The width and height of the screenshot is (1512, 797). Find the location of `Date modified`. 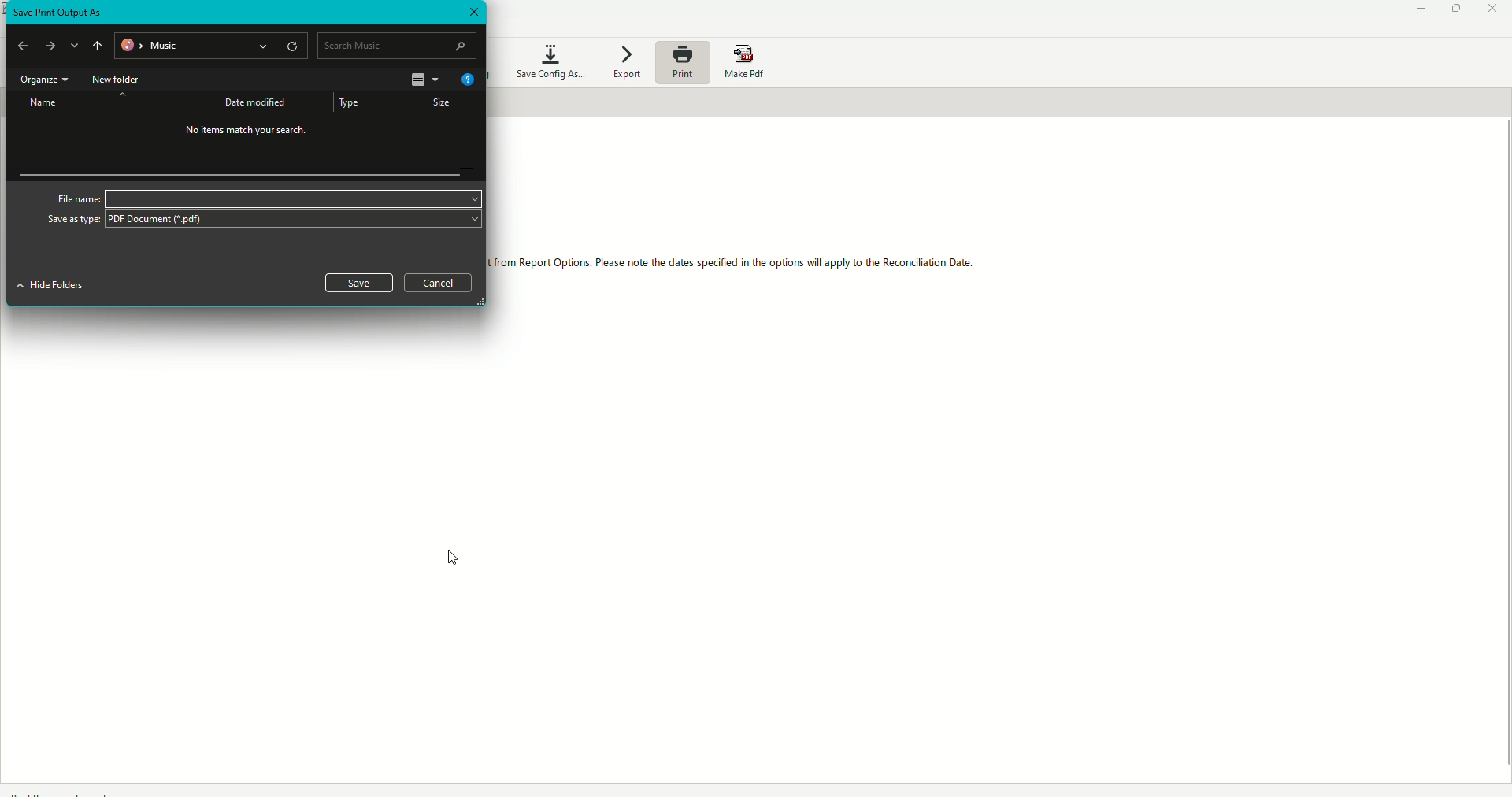

Date modified is located at coordinates (258, 100).